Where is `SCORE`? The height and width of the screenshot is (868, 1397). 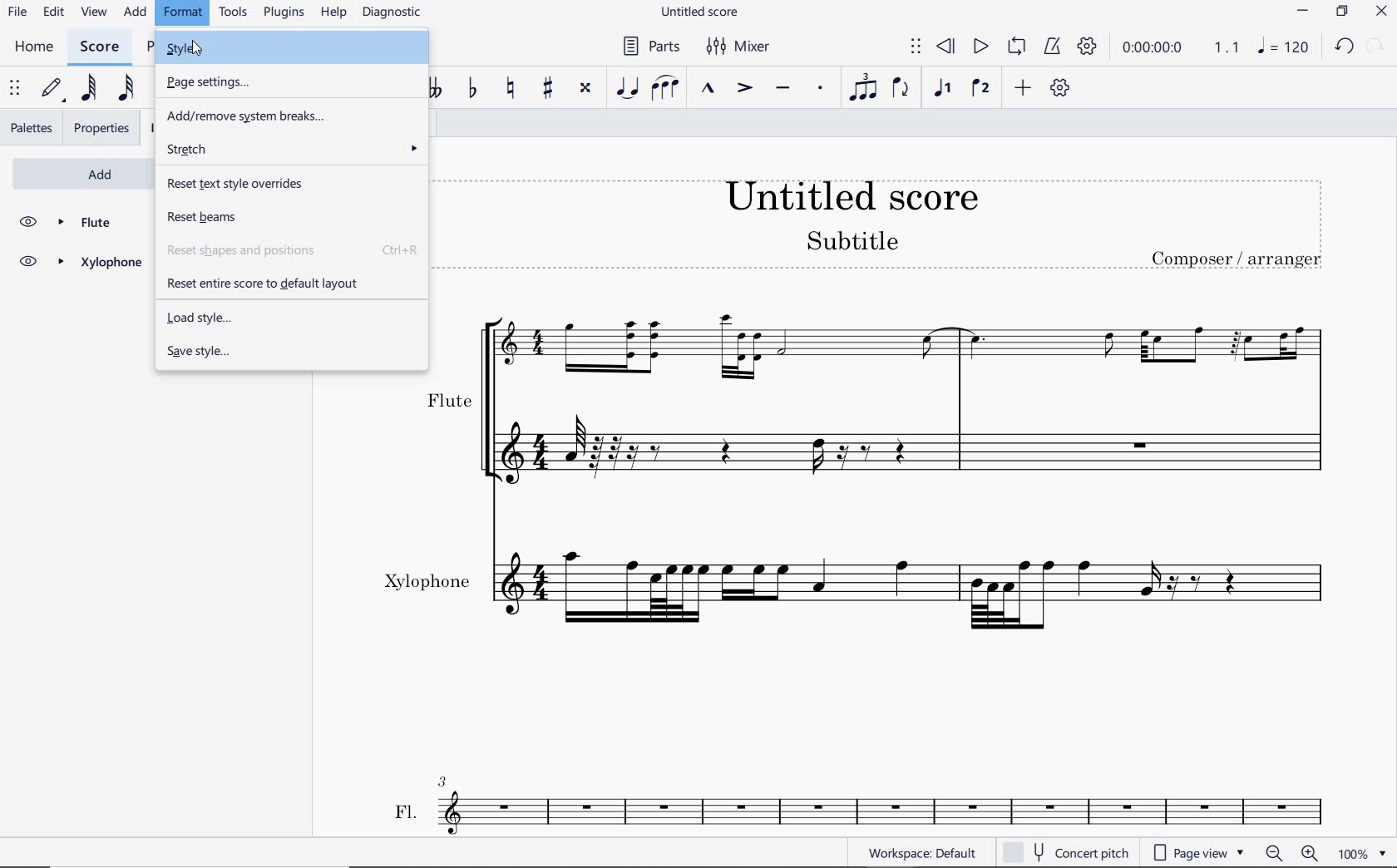 SCORE is located at coordinates (98, 46).